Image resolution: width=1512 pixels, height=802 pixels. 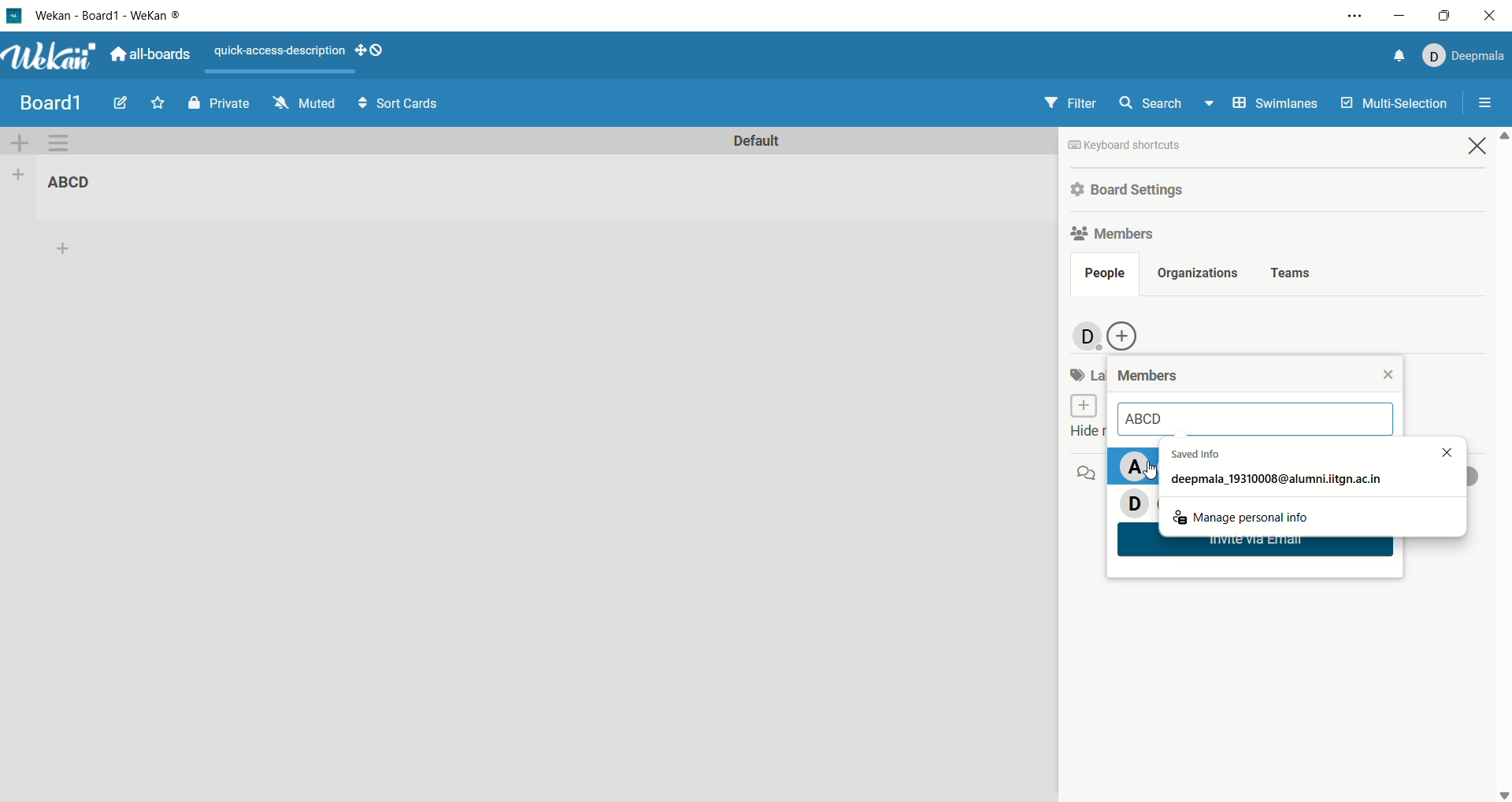 I want to click on people, so click(x=1104, y=276).